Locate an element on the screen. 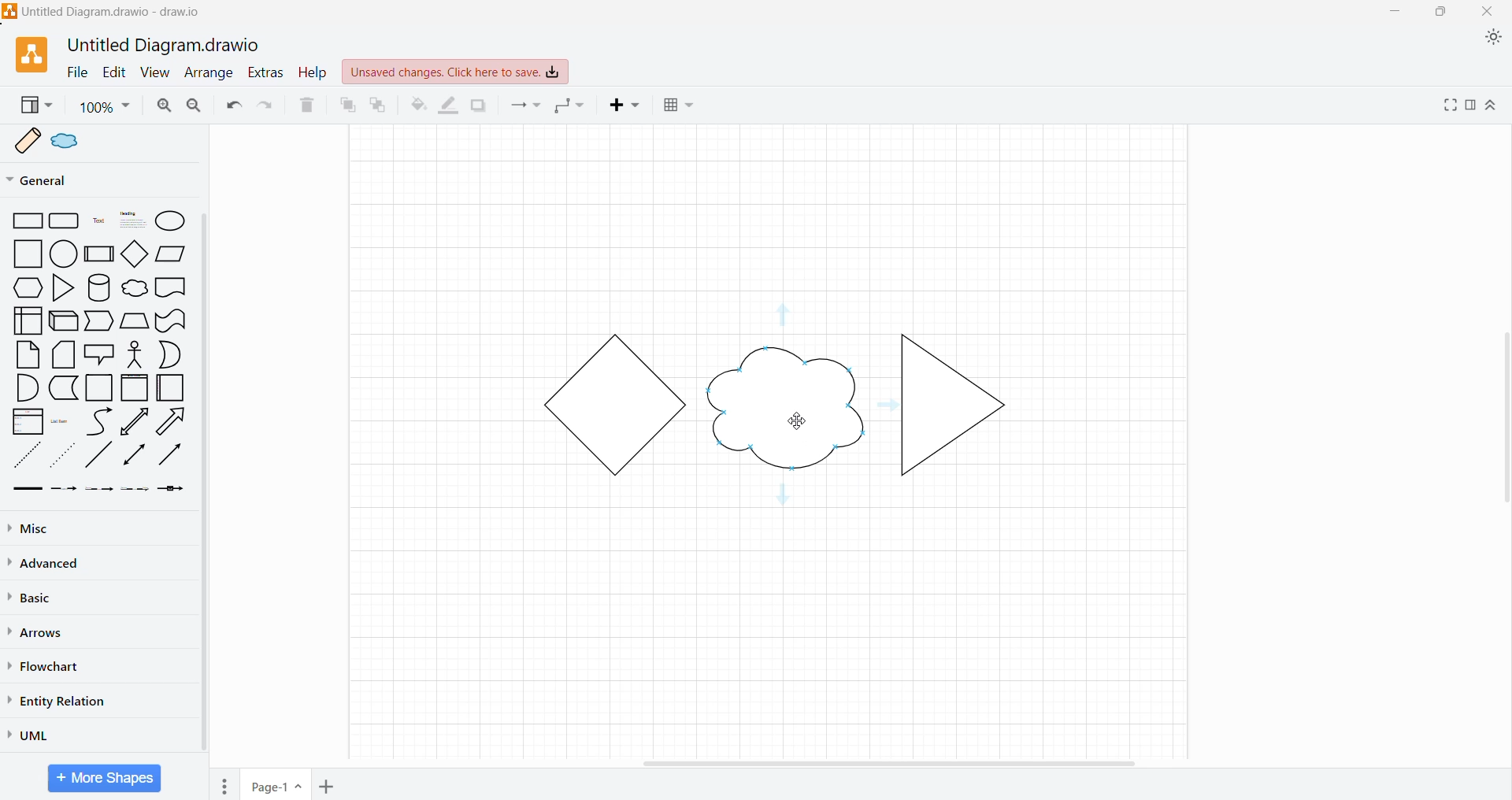 Image resolution: width=1512 pixels, height=800 pixels. Help is located at coordinates (313, 72).